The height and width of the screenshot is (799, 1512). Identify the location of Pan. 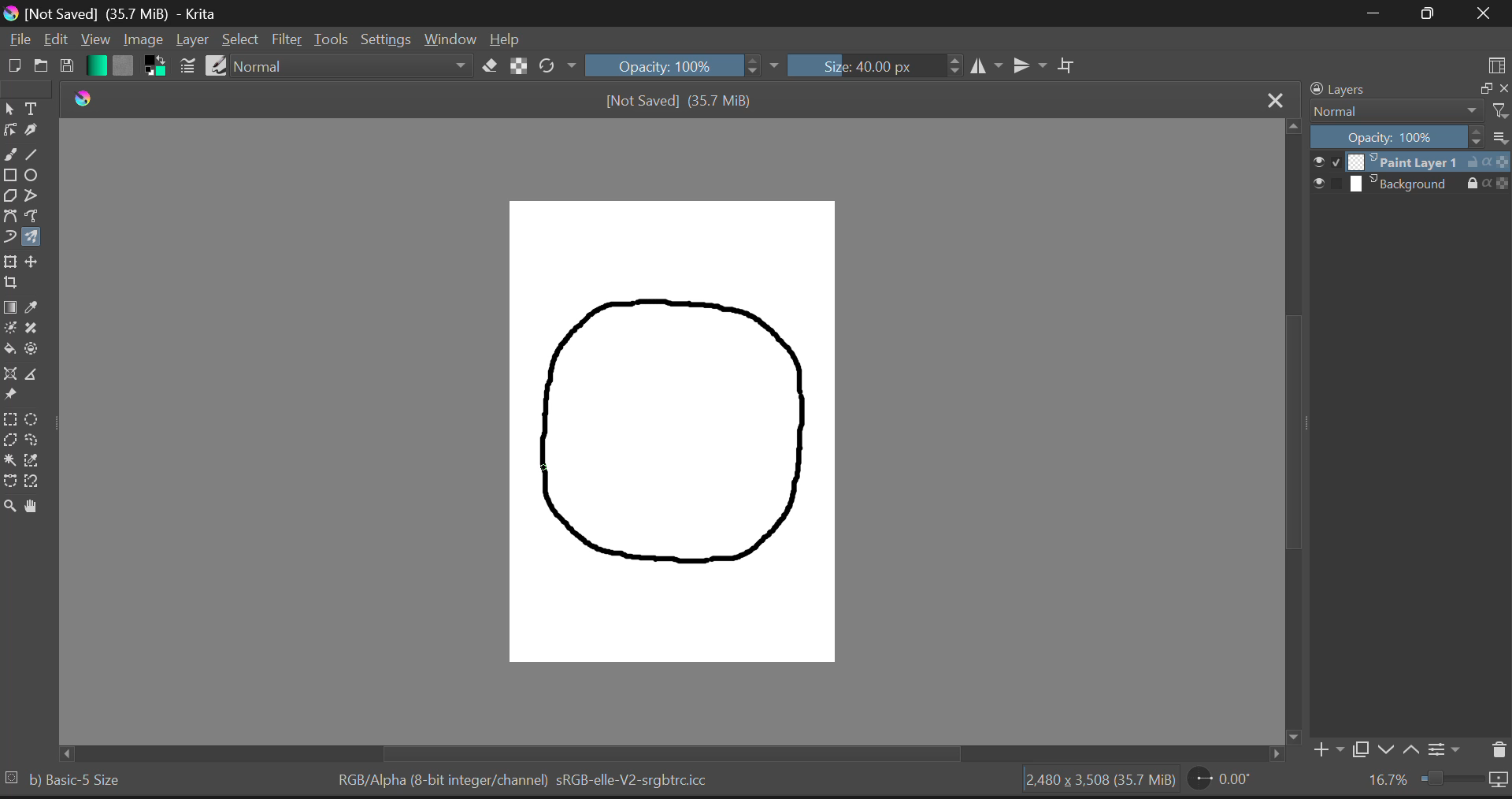
(35, 507).